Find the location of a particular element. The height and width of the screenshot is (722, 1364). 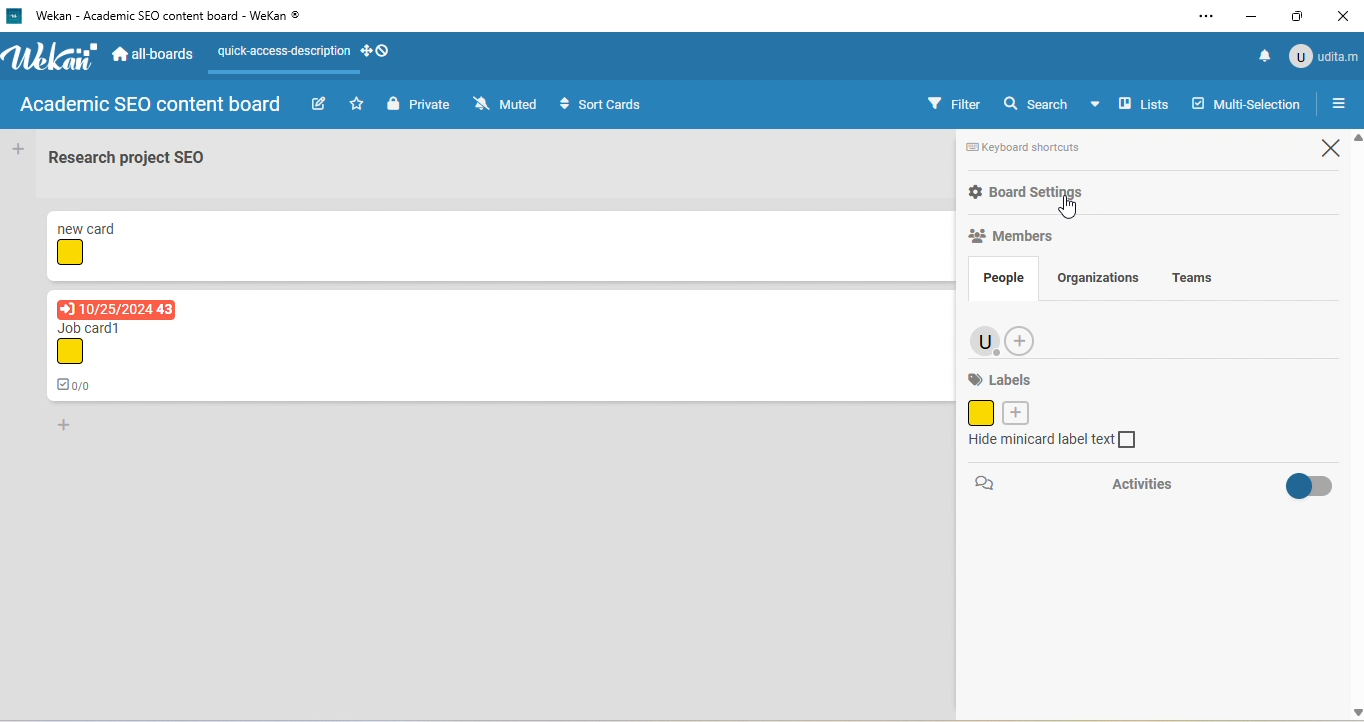

label is located at coordinates (1010, 398).